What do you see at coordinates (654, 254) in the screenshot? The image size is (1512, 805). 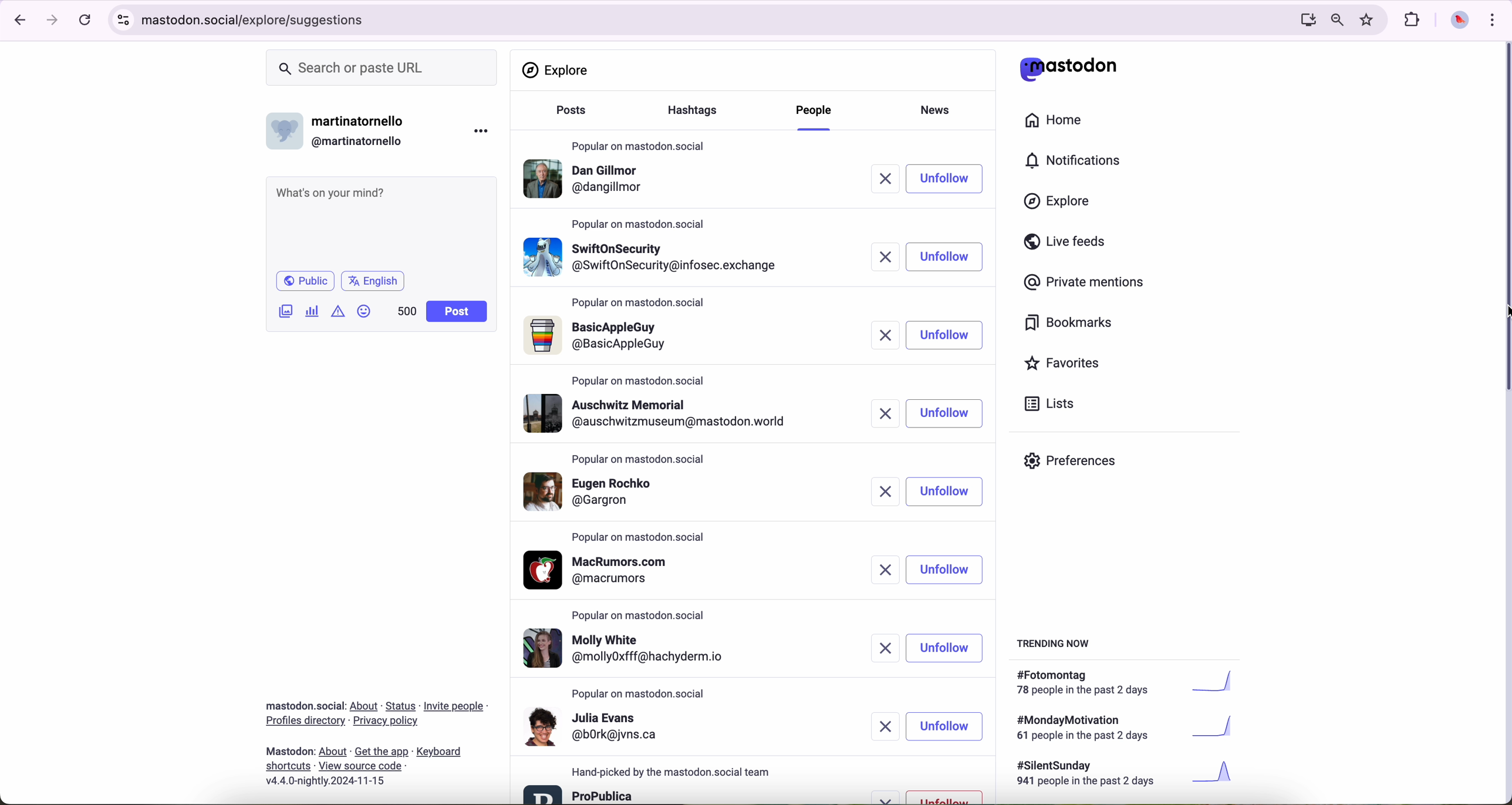 I see `profile` at bounding box center [654, 254].